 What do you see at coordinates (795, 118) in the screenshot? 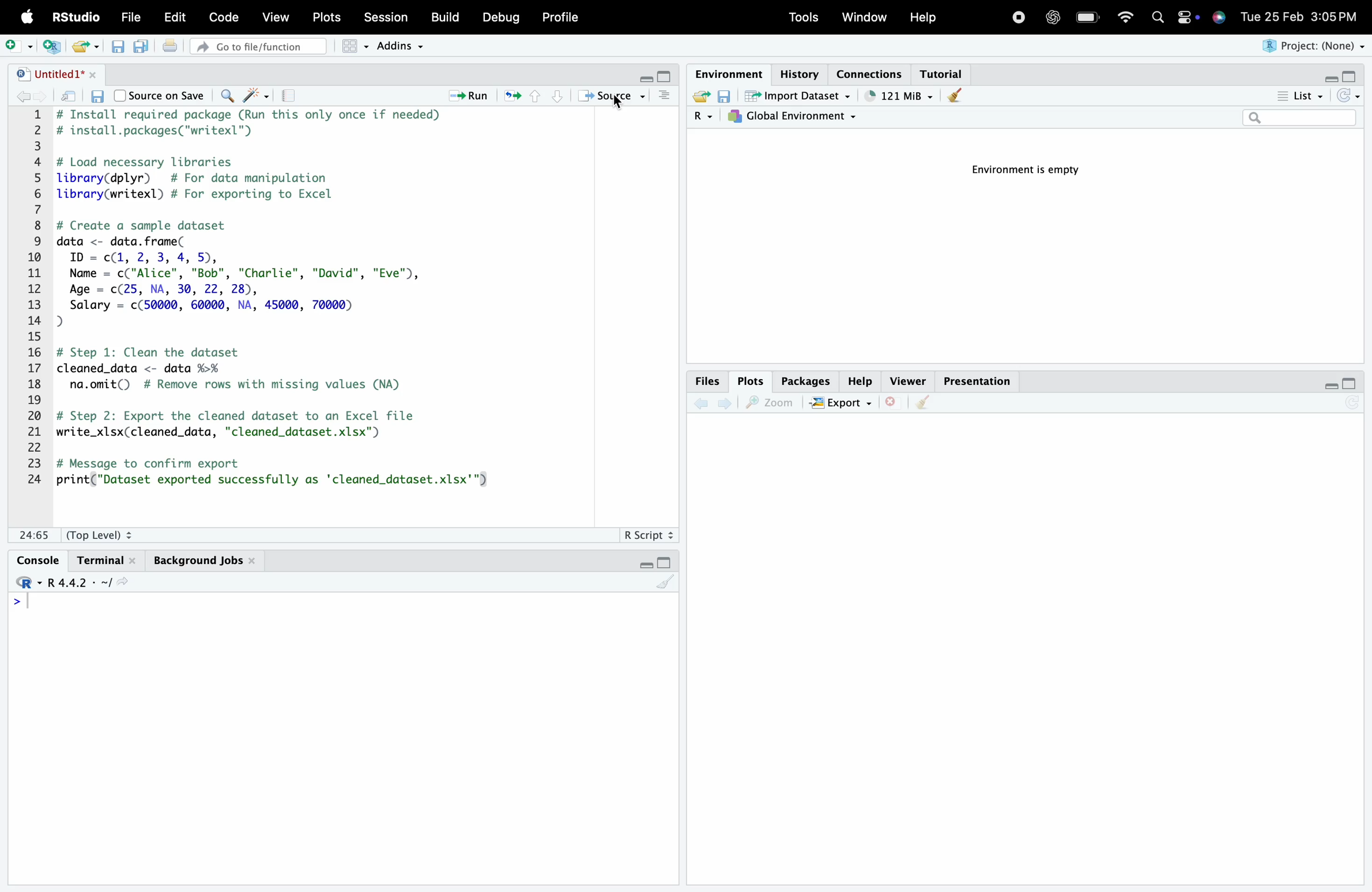
I see `Global Environment` at bounding box center [795, 118].